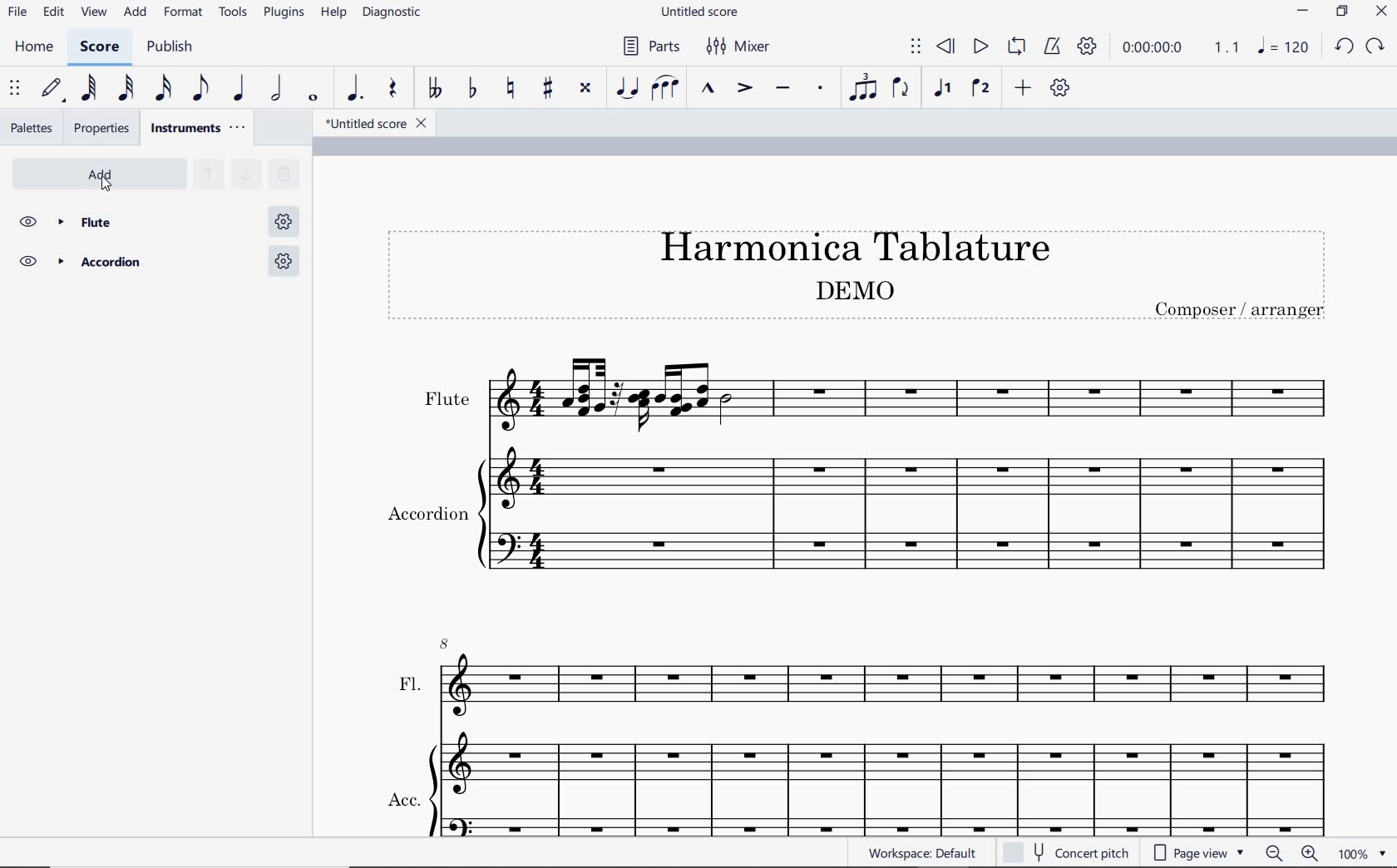  I want to click on Title, so click(850, 279).